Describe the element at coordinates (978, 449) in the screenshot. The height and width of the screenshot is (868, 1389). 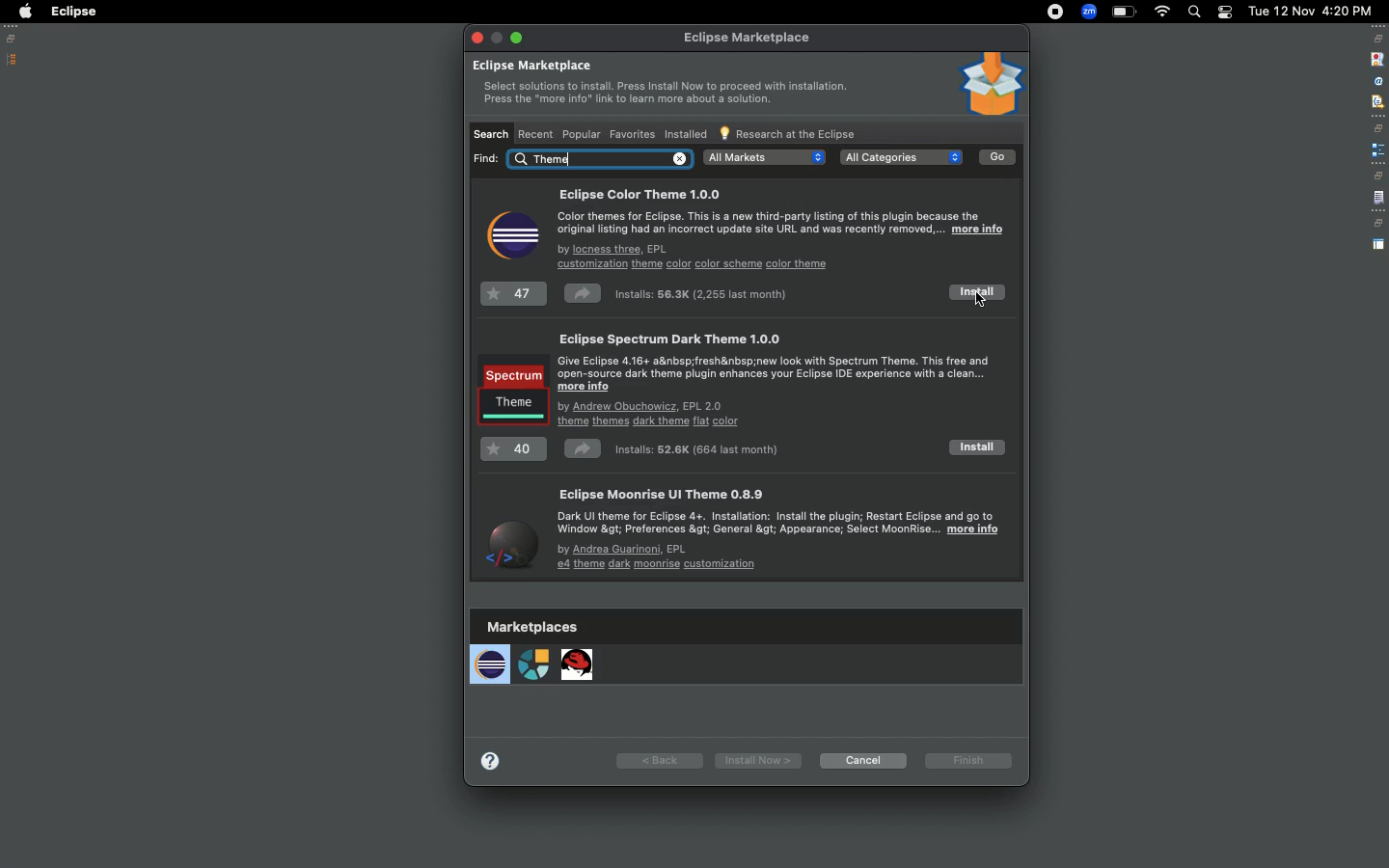
I see `Install` at that location.